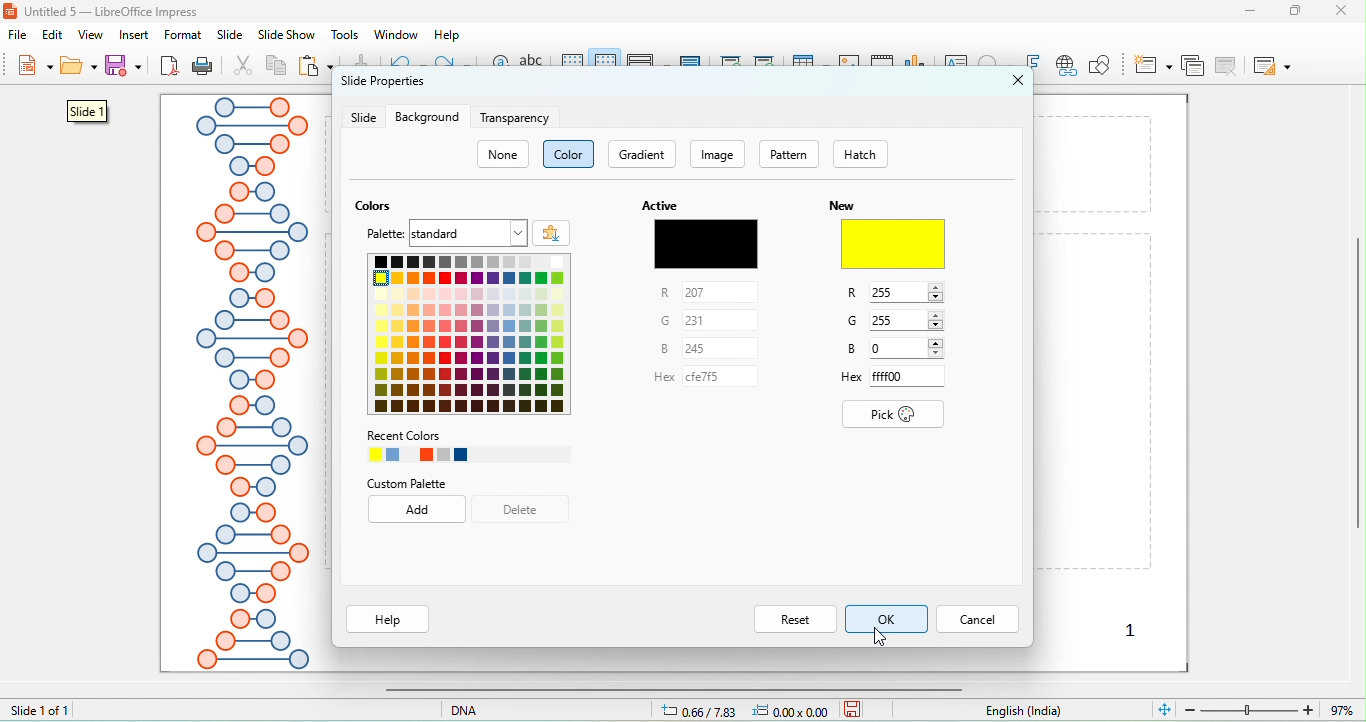  What do you see at coordinates (958, 65) in the screenshot?
I see `text box` at bounding box center [958, 65].